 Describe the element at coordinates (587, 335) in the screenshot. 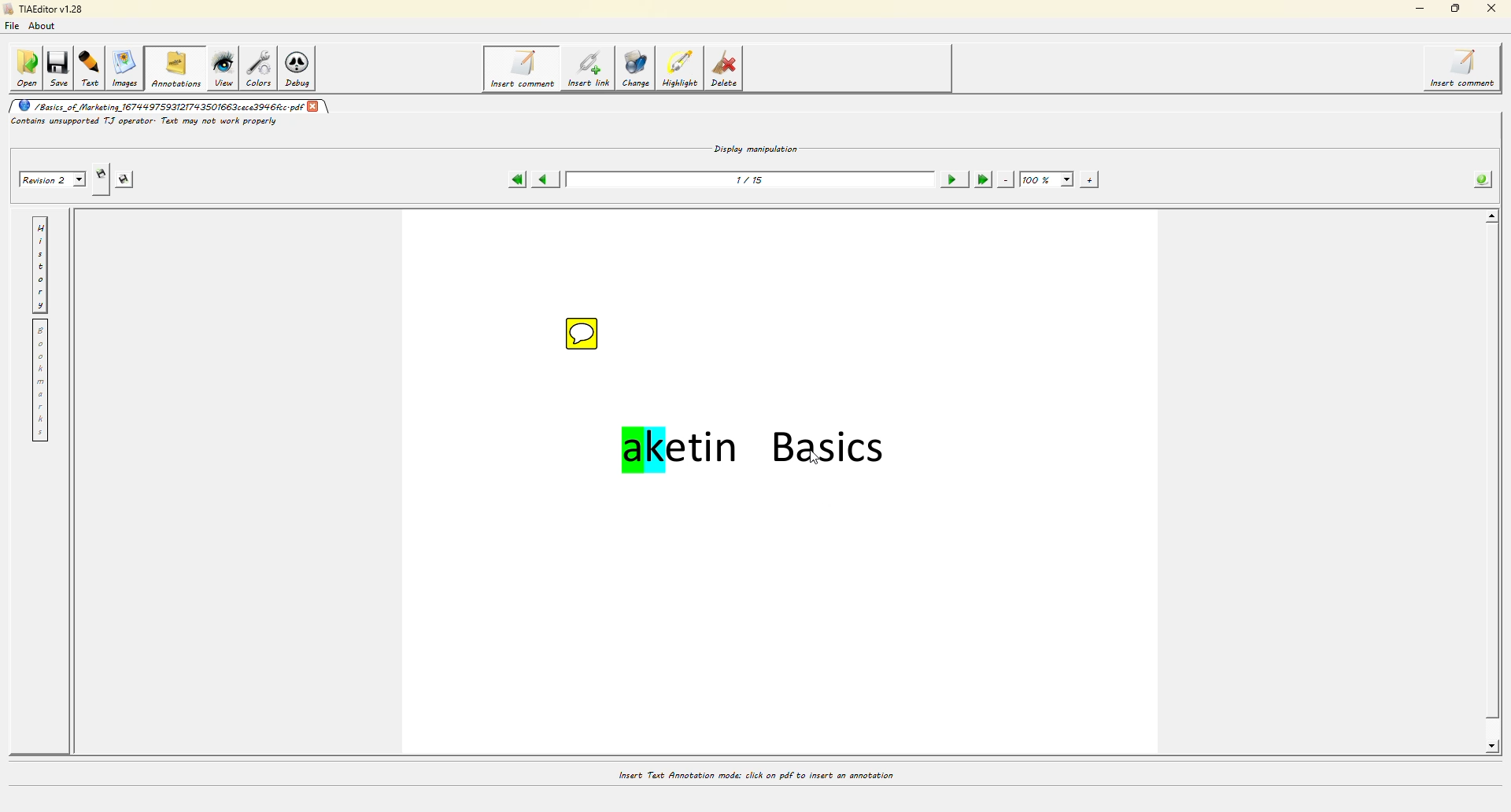

I see `comment icon` at that location.